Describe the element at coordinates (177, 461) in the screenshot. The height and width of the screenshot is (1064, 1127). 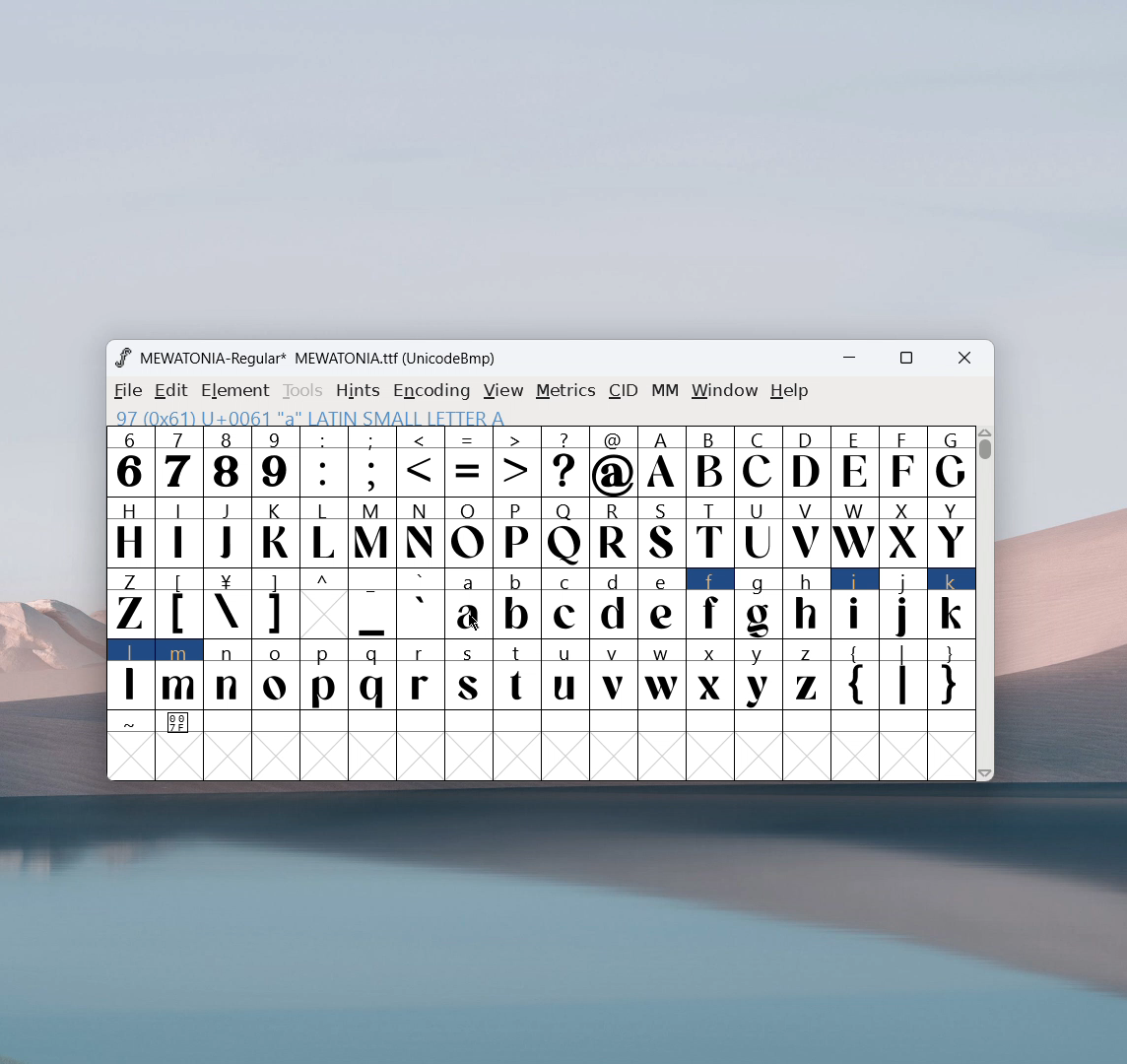
I see `7` at that location.